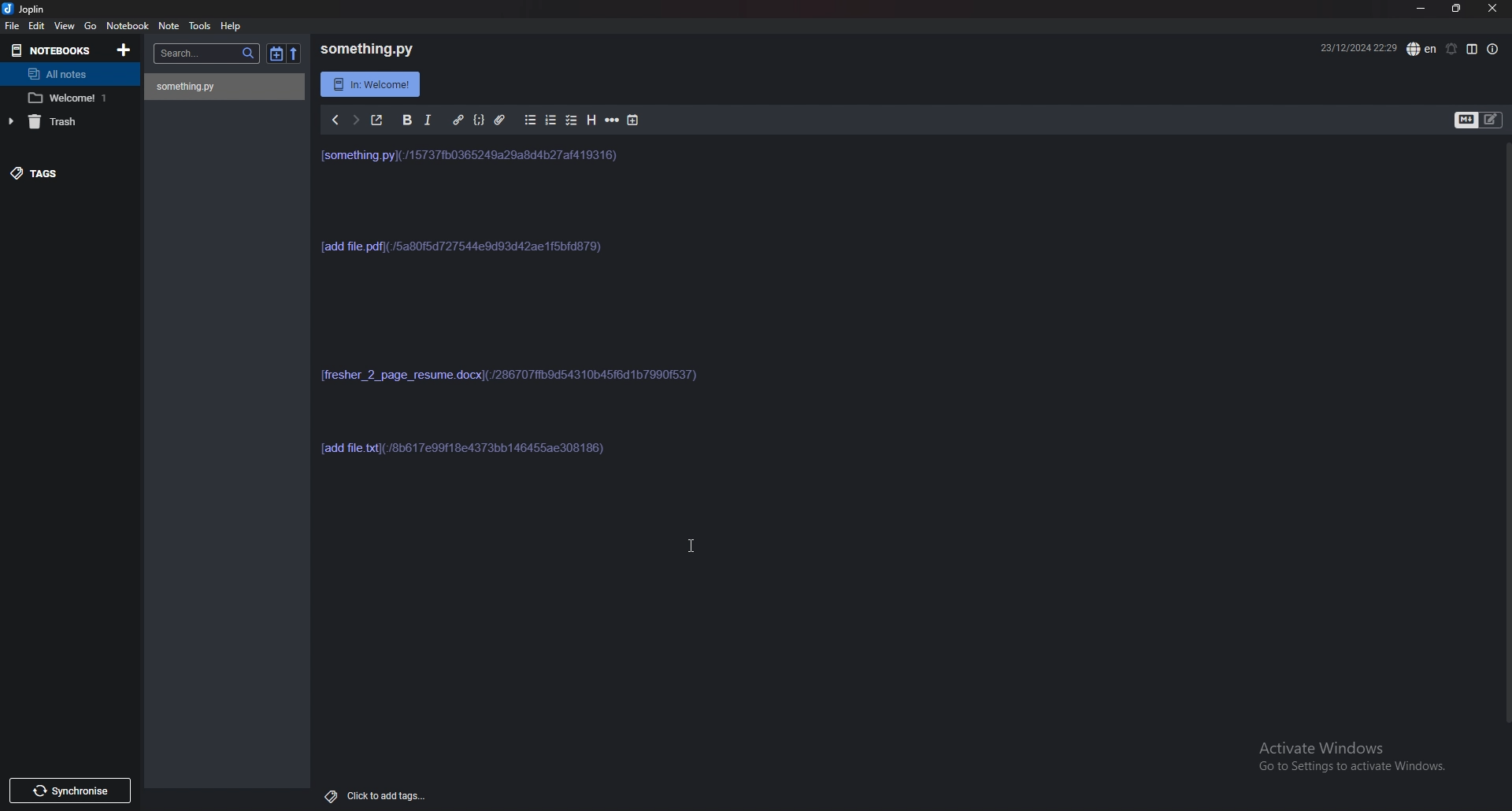 The image size is (1512, 811). I want to click on Bullet list, so click(528, 121).